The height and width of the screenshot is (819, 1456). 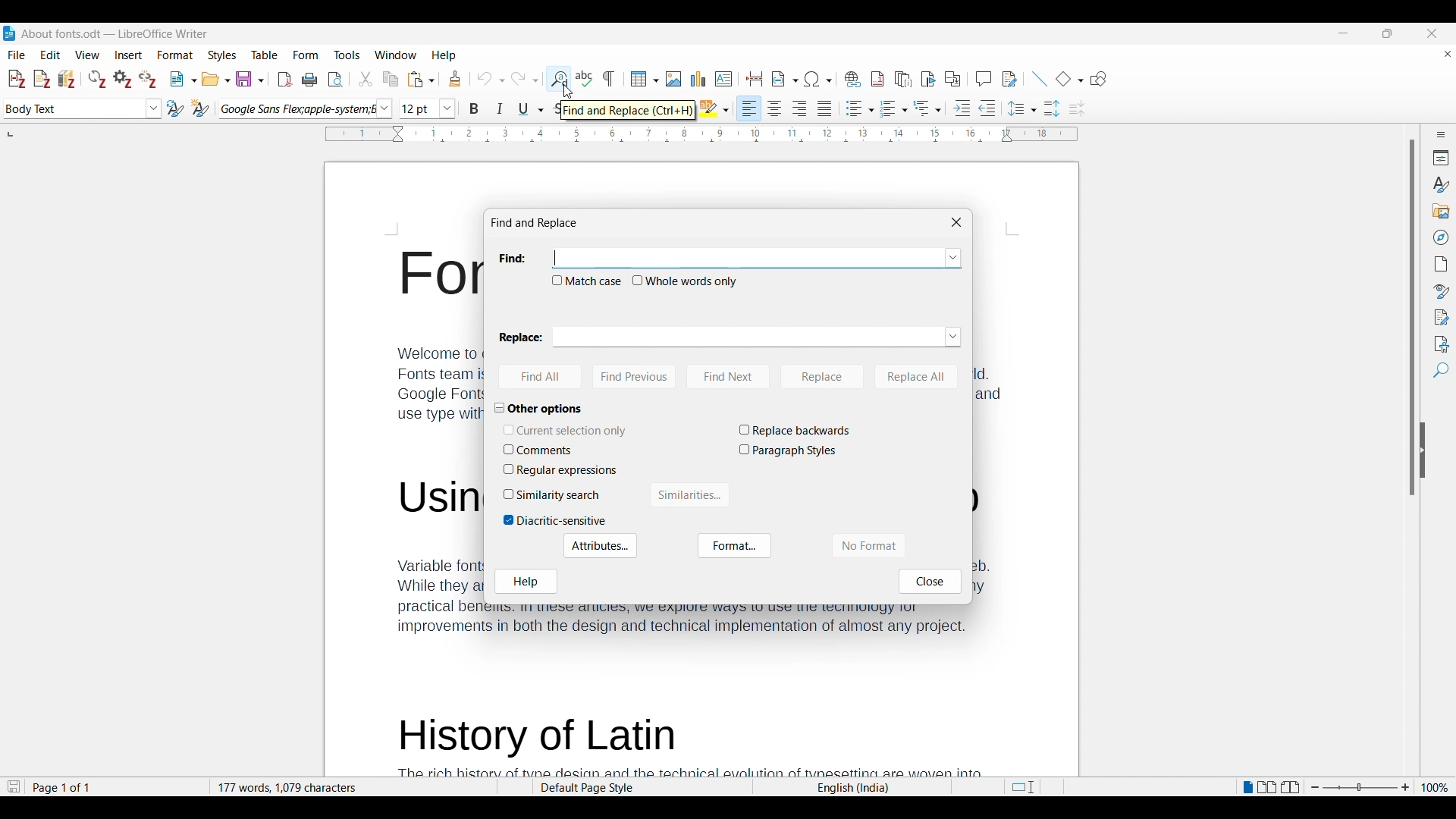 What do you see at coordinates (601, 546) in the screenshot?
I see `Attributes` at bounding box center [601, 546].